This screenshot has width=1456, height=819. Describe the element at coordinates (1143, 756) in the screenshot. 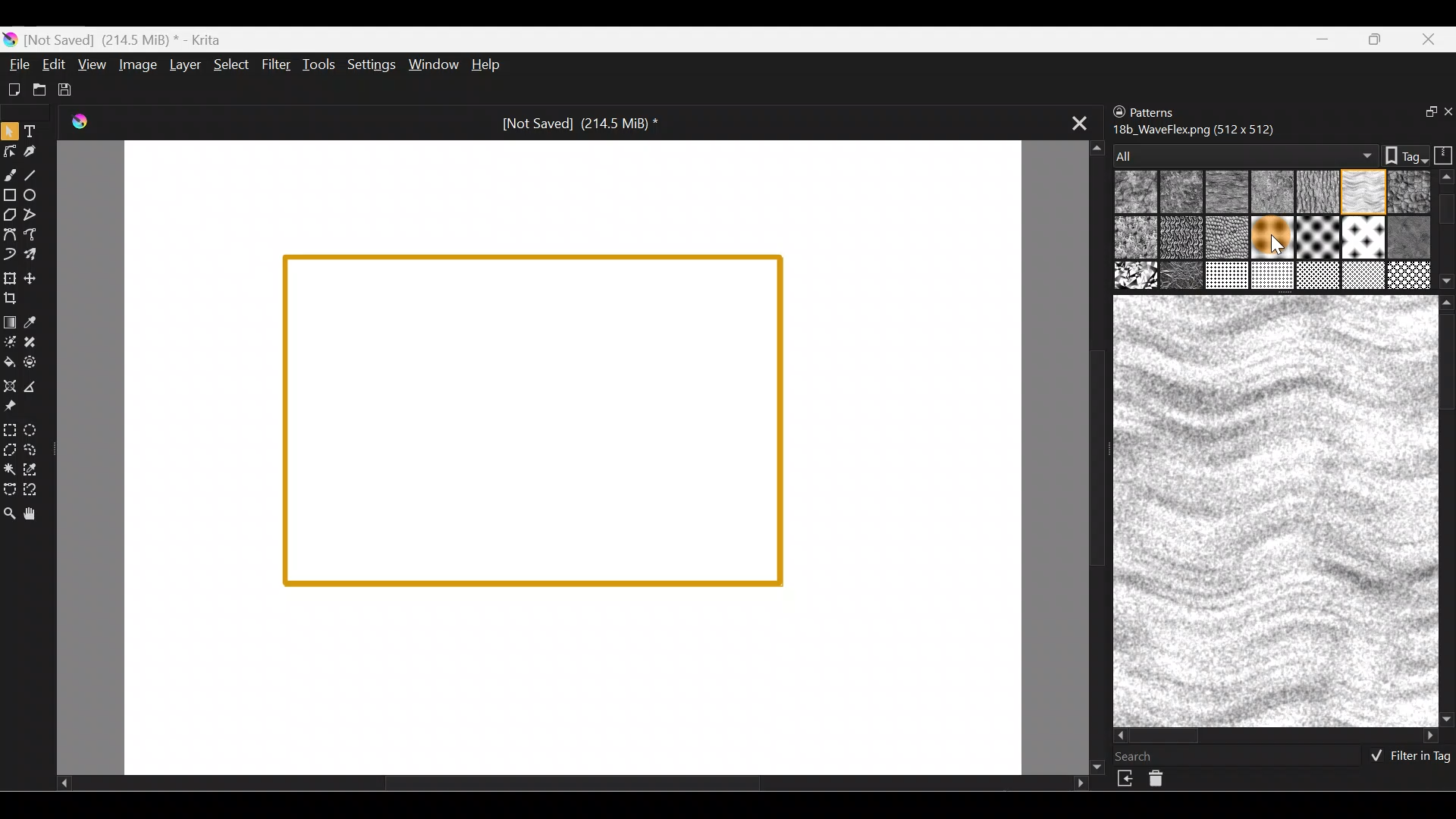

I see `Search` at that location.